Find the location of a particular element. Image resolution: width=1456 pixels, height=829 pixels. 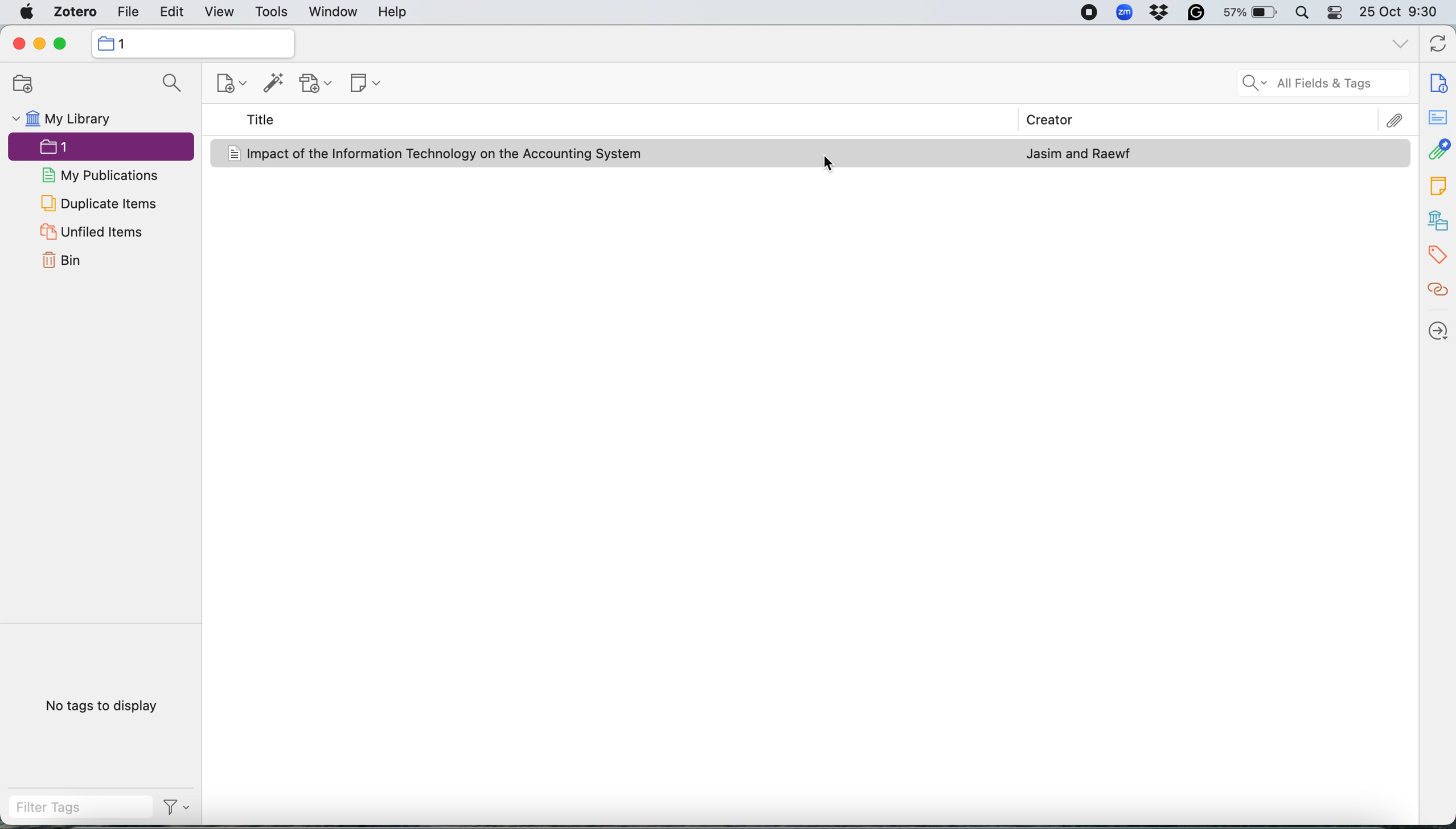

screen recorder is located at coordinates (1089, 12).